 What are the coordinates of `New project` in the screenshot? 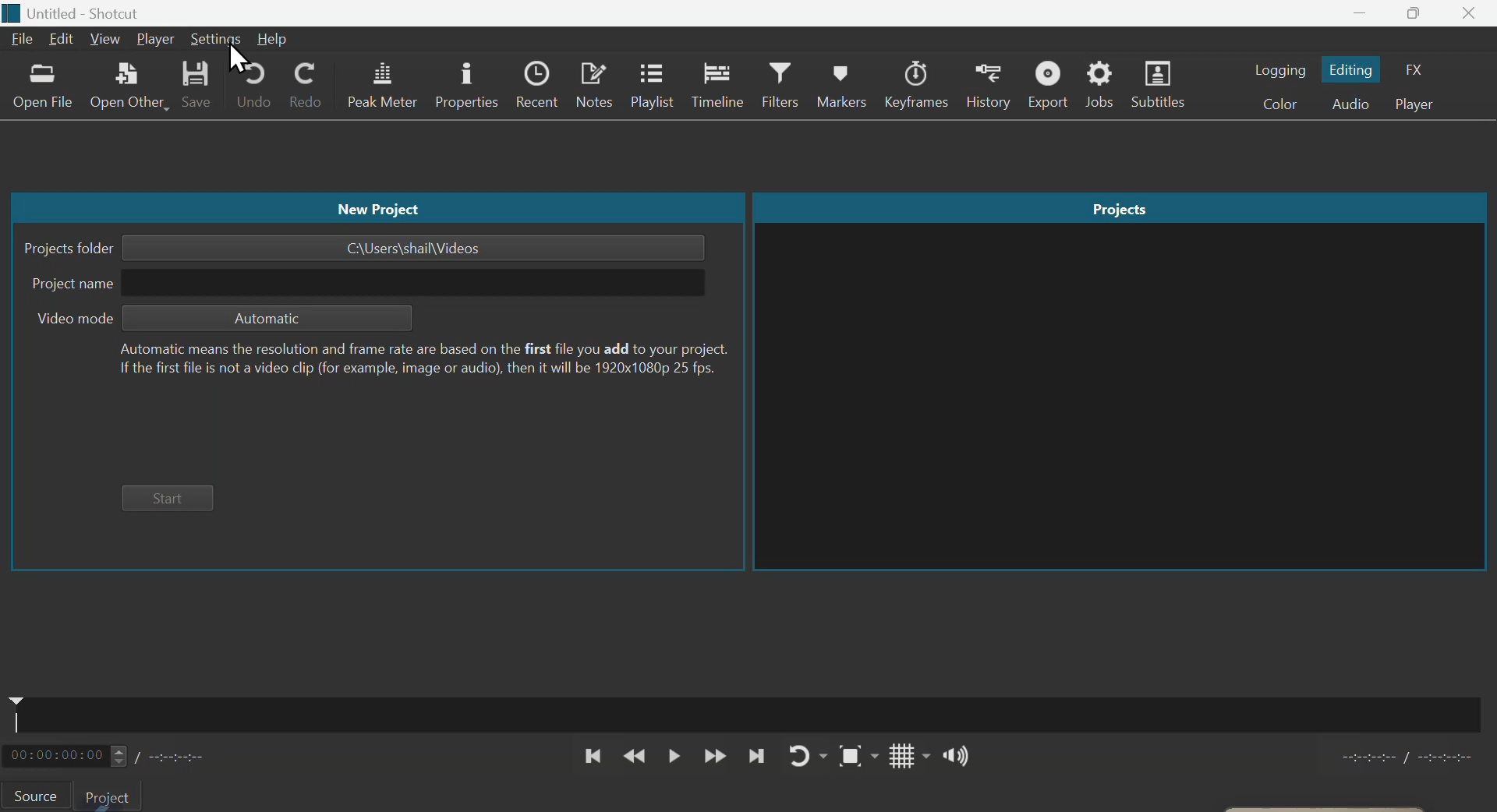 It's located at (377, 207).